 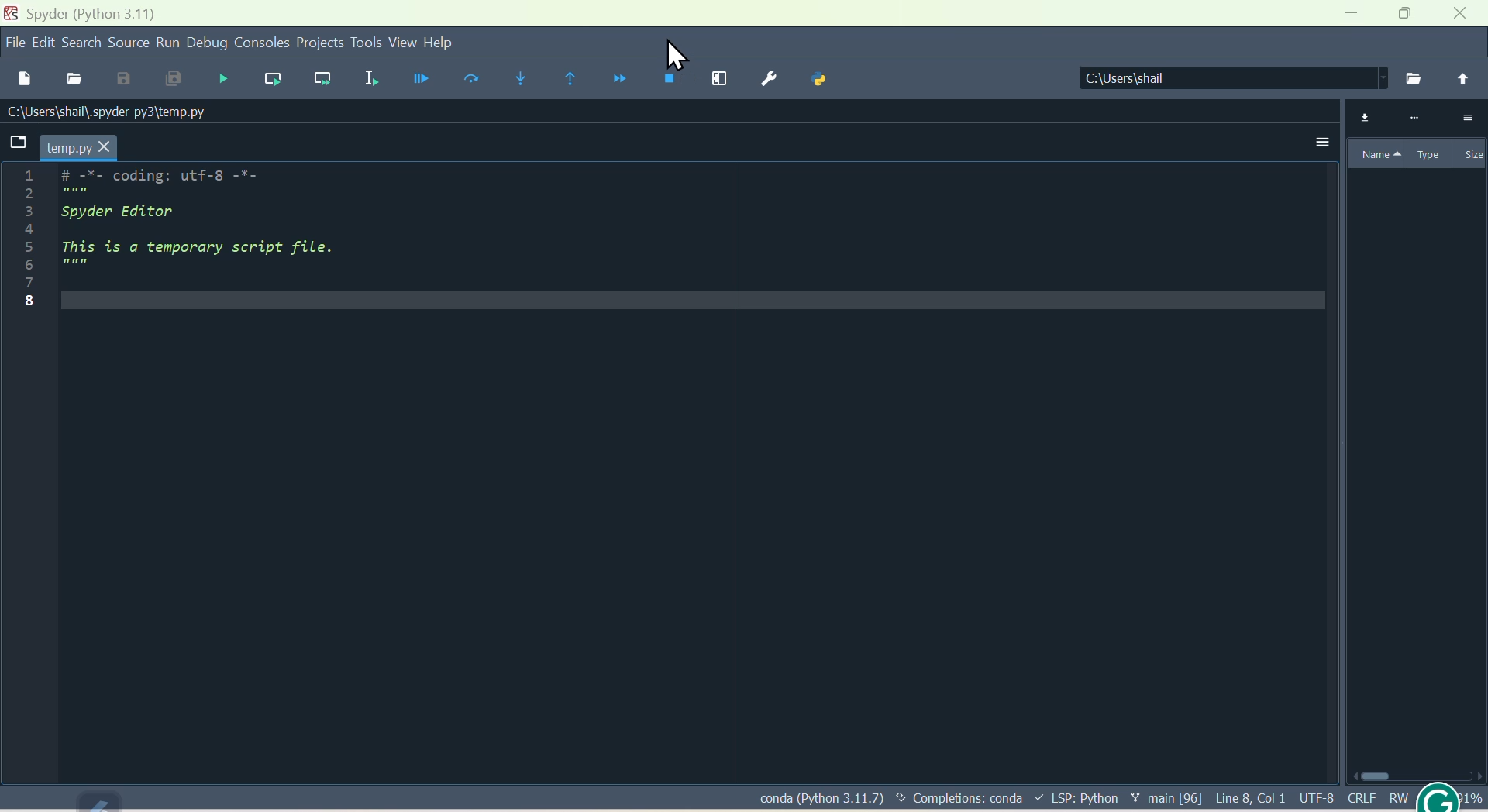 I want to click on cursor, so click(x=675, y=53).